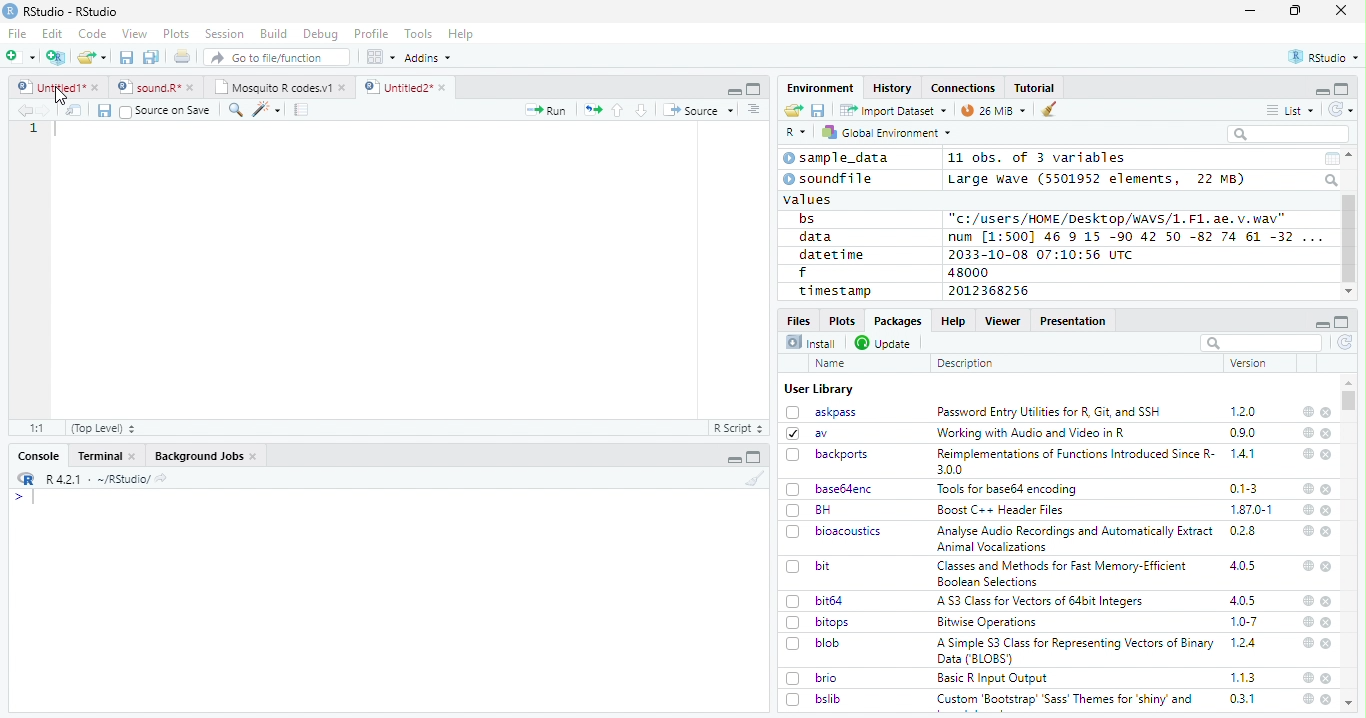 Image resolution: width=1366 pixels, height=718 pixels. What do you see at coordinates (381, 57) in the screenshot?
I see `Workspace panes` at bounding box center [381, 57].